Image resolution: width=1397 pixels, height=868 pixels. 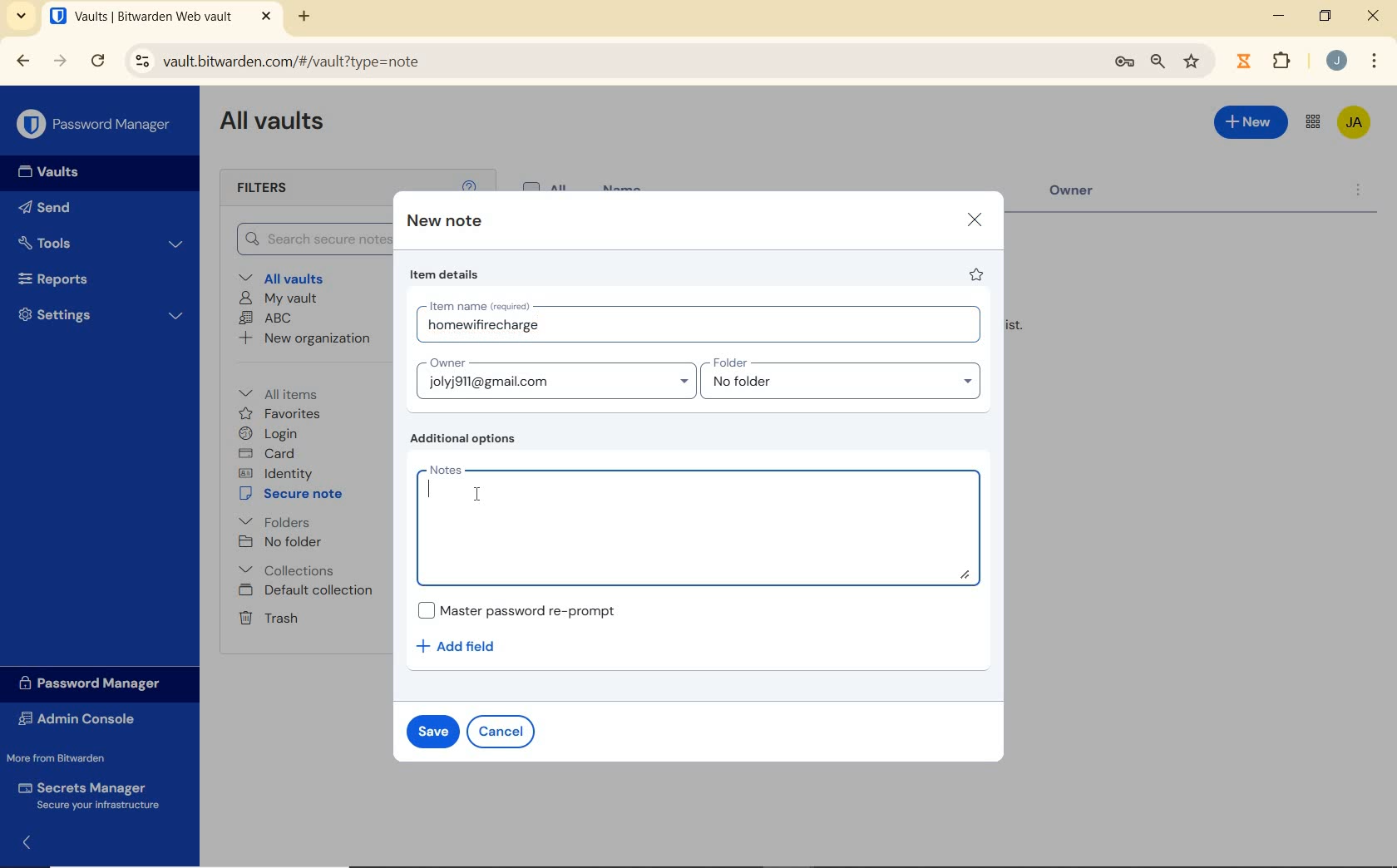 I want to click on extensions, so click(x=1242, y=62).